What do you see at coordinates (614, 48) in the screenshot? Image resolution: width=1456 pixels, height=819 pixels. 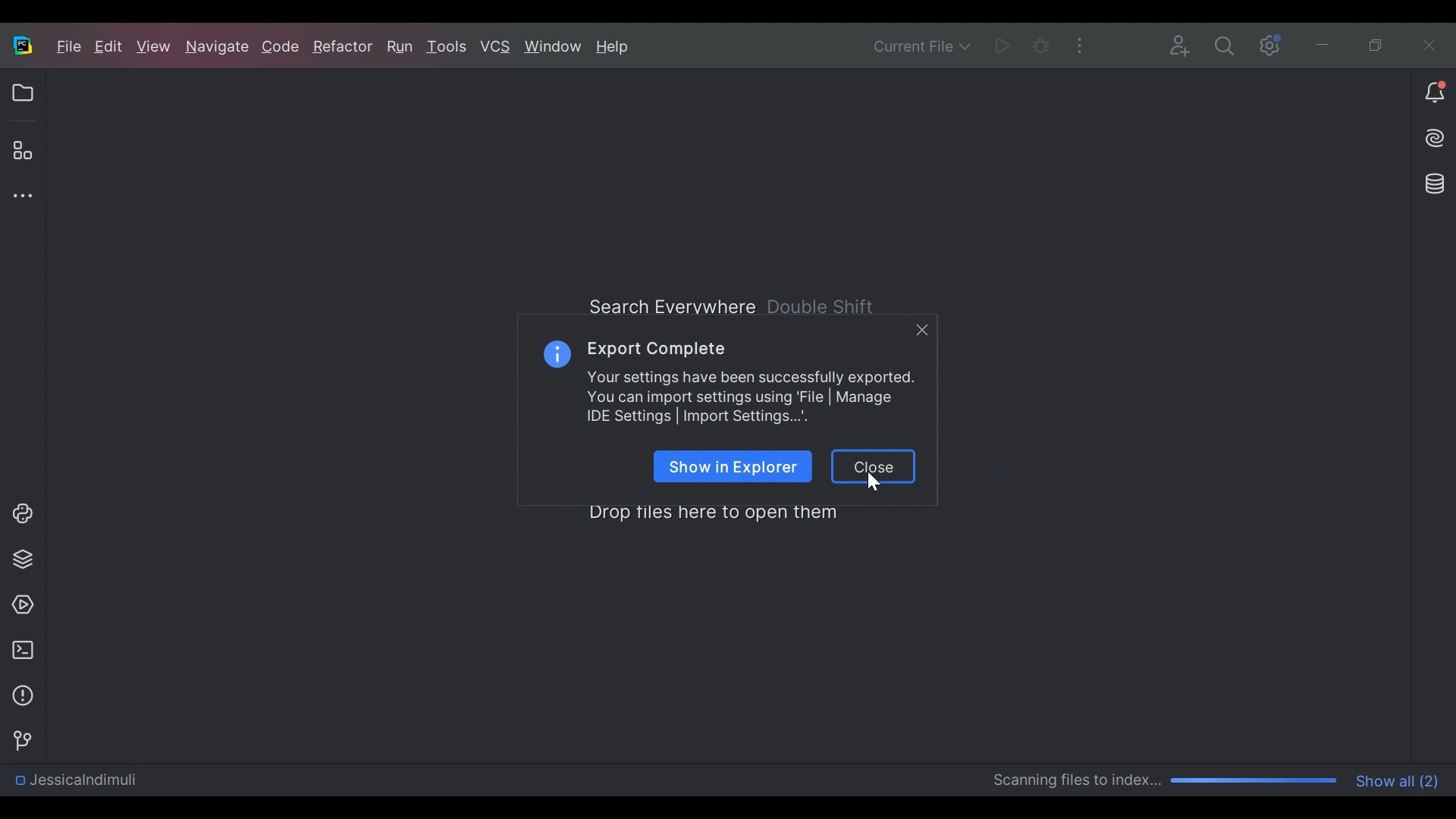 I see `Help` at bounding box center [614, 48].